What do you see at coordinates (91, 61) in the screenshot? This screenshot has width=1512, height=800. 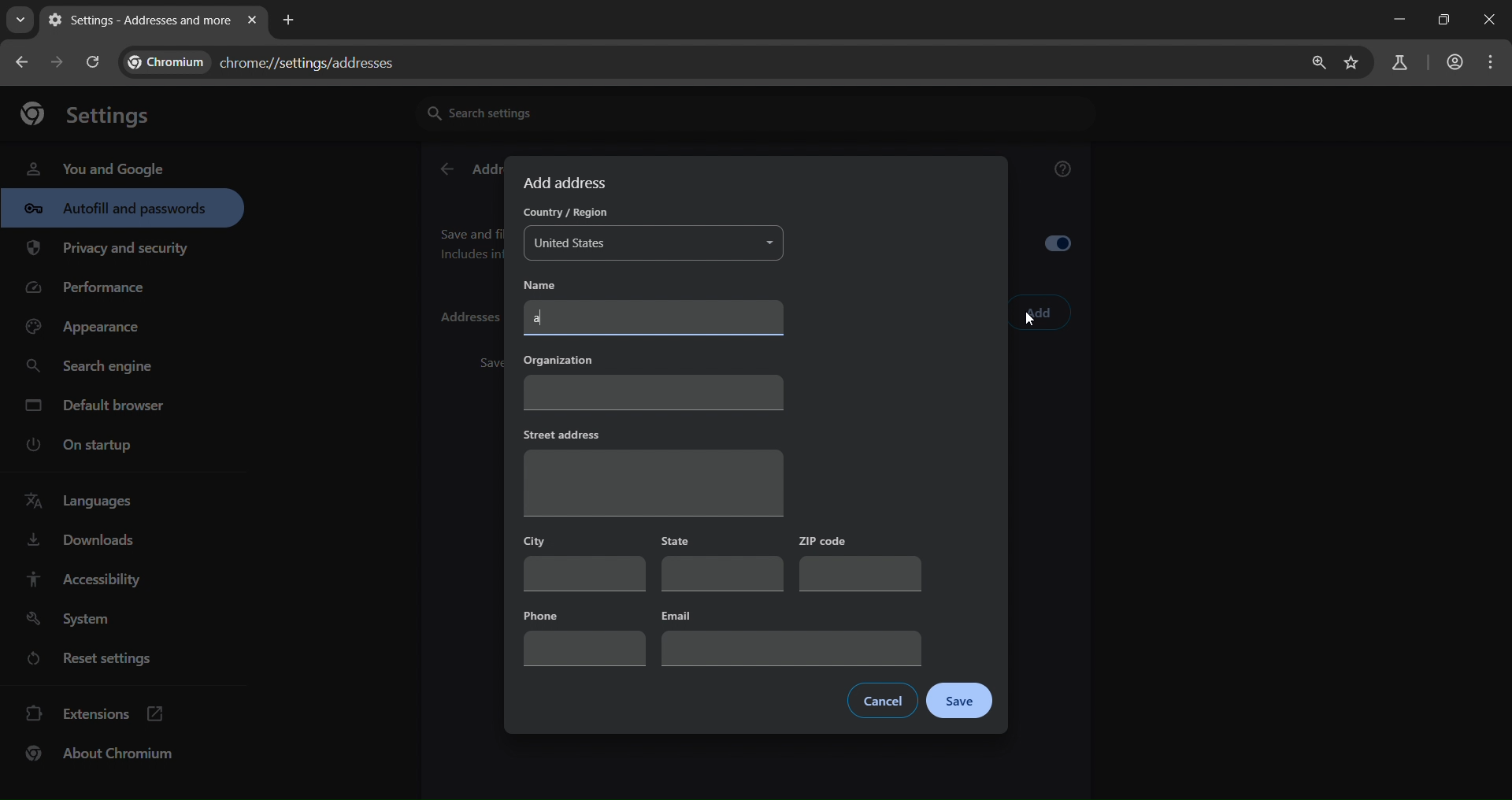 I see `reload` at bounding box center [91, 61].